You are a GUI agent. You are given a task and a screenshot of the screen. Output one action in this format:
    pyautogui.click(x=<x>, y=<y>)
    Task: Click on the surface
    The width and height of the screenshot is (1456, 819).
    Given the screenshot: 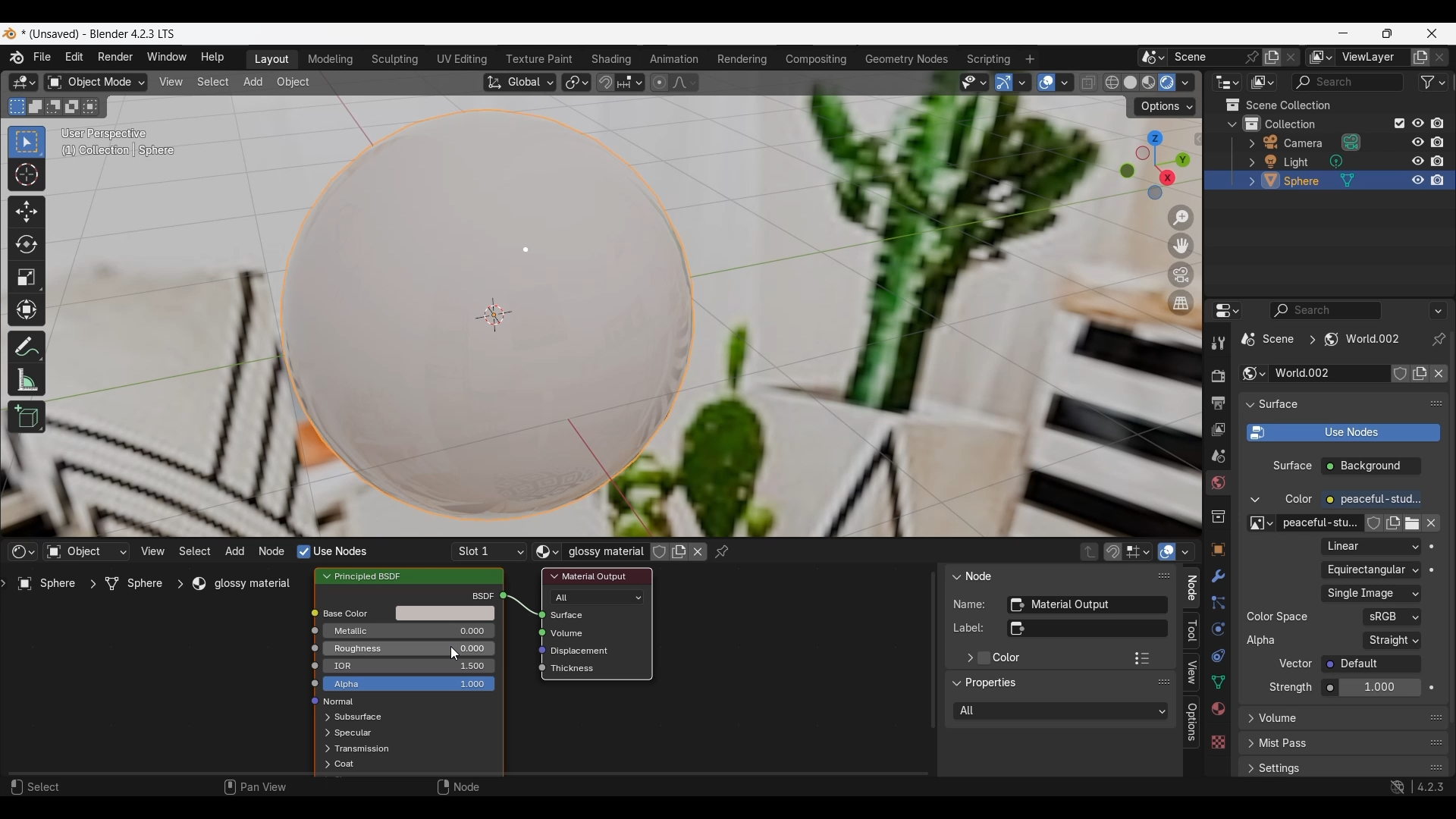 What is the action you would take?
    pyautogui.click(x=1292, y=467)
    